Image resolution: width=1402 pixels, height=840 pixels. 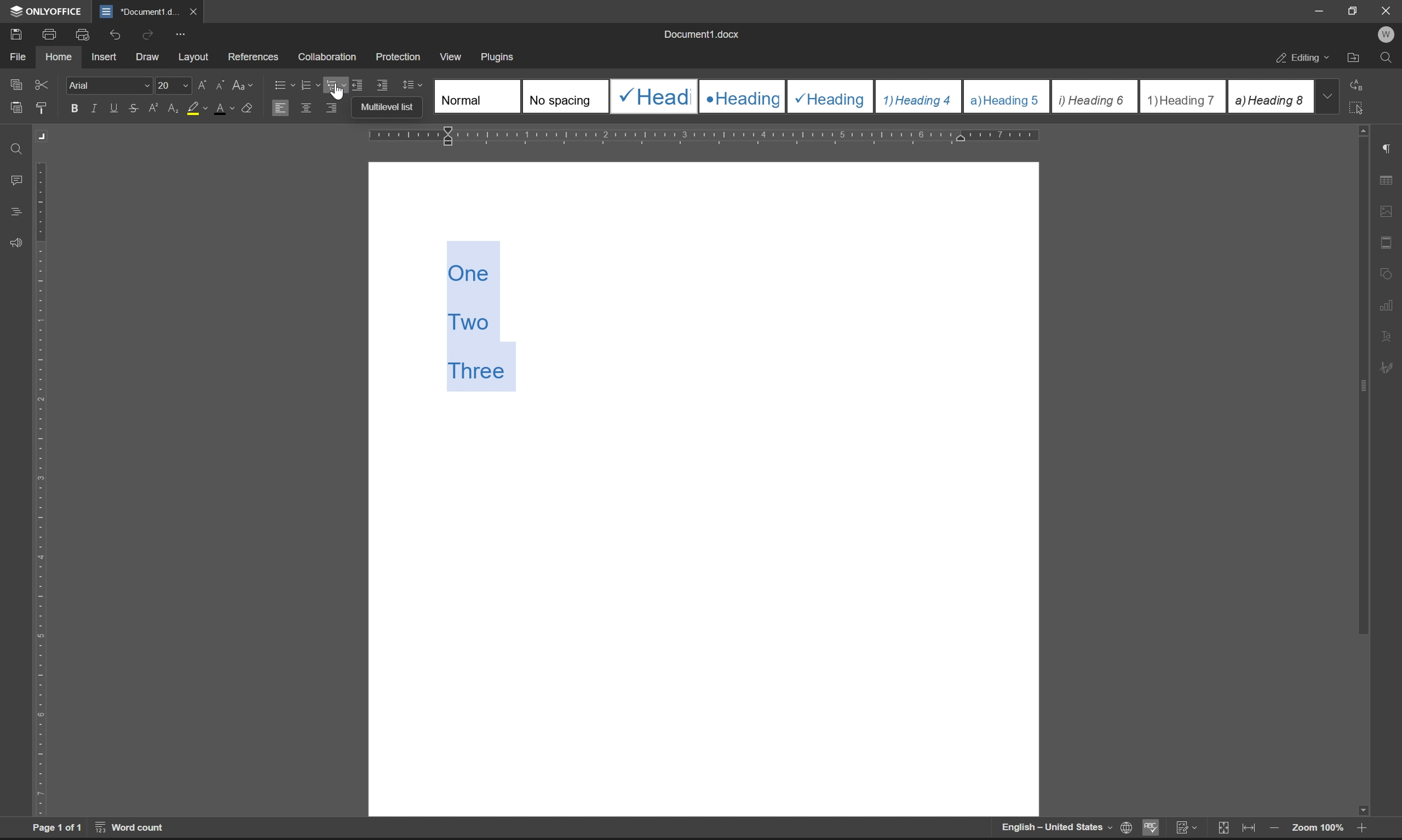 I want to click on Line spacing, so click(x=417, y=85).